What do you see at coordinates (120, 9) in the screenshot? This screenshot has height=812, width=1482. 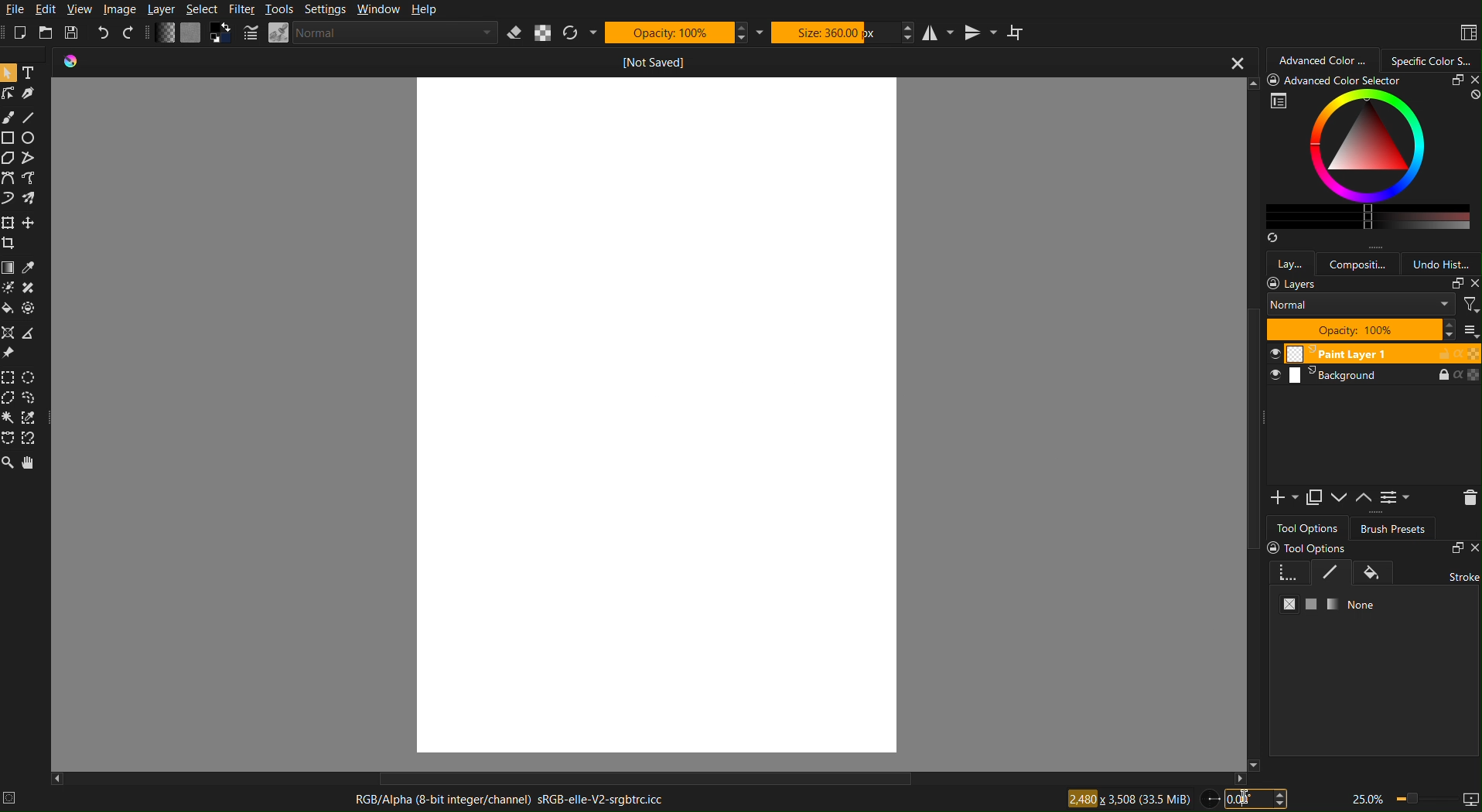 I see `Image` at bounding box center [120, 9].